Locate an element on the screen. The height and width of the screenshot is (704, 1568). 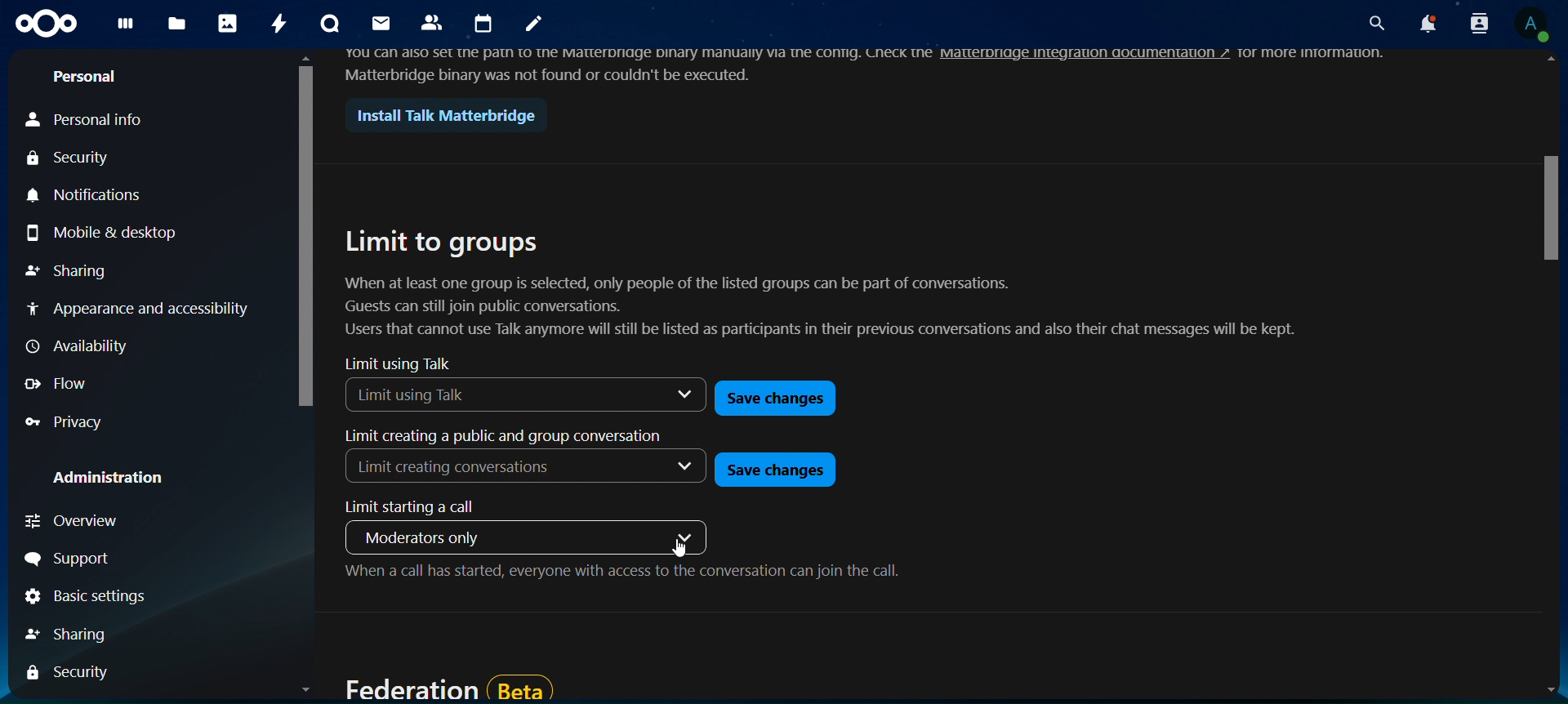
scroll bar is located at coordinates (1551, 380).